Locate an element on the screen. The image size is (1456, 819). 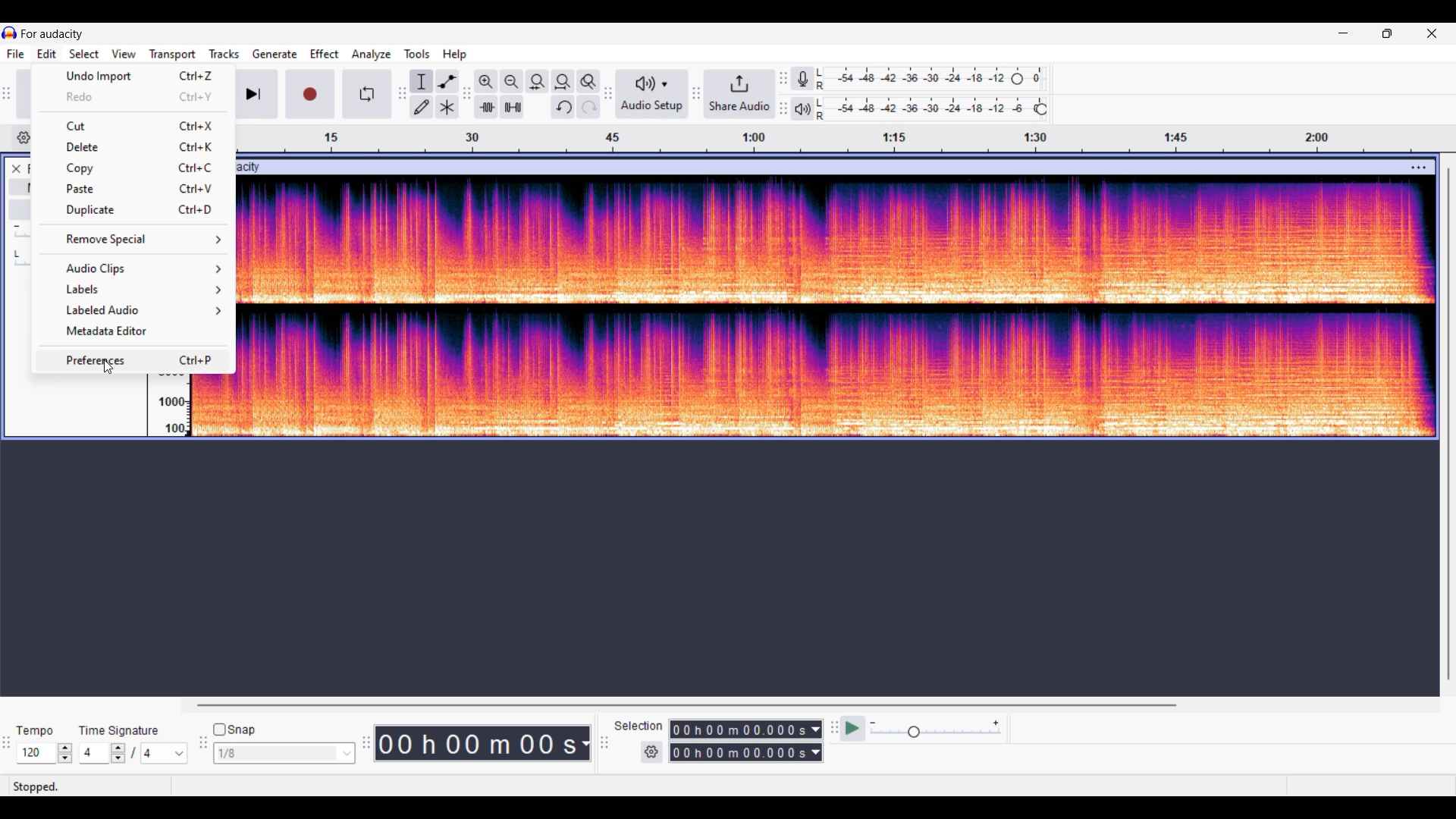
Preferences is located at coordinates (133, 359).